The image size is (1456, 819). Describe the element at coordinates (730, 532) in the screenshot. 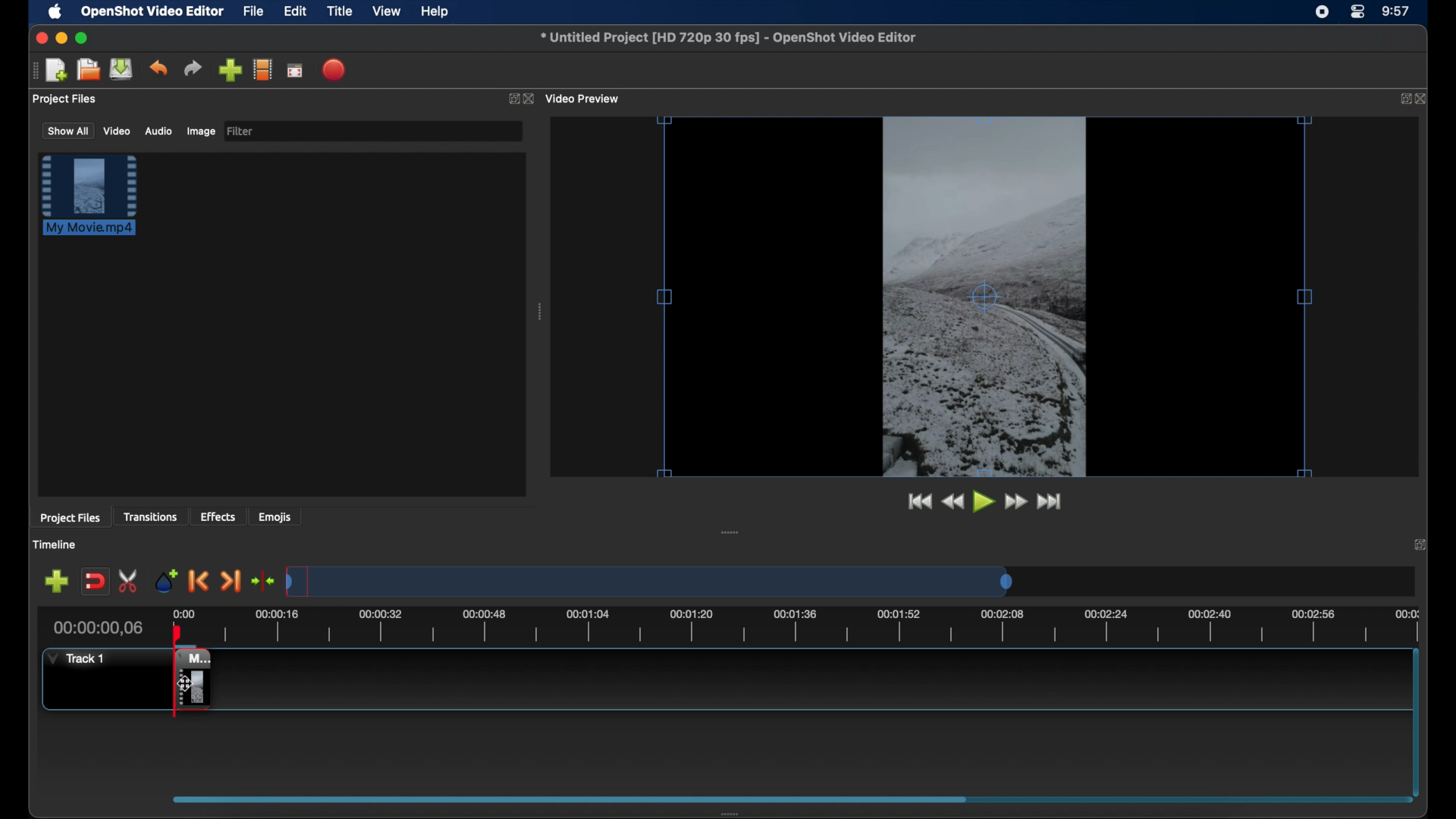

I see `drag handle` at that location.